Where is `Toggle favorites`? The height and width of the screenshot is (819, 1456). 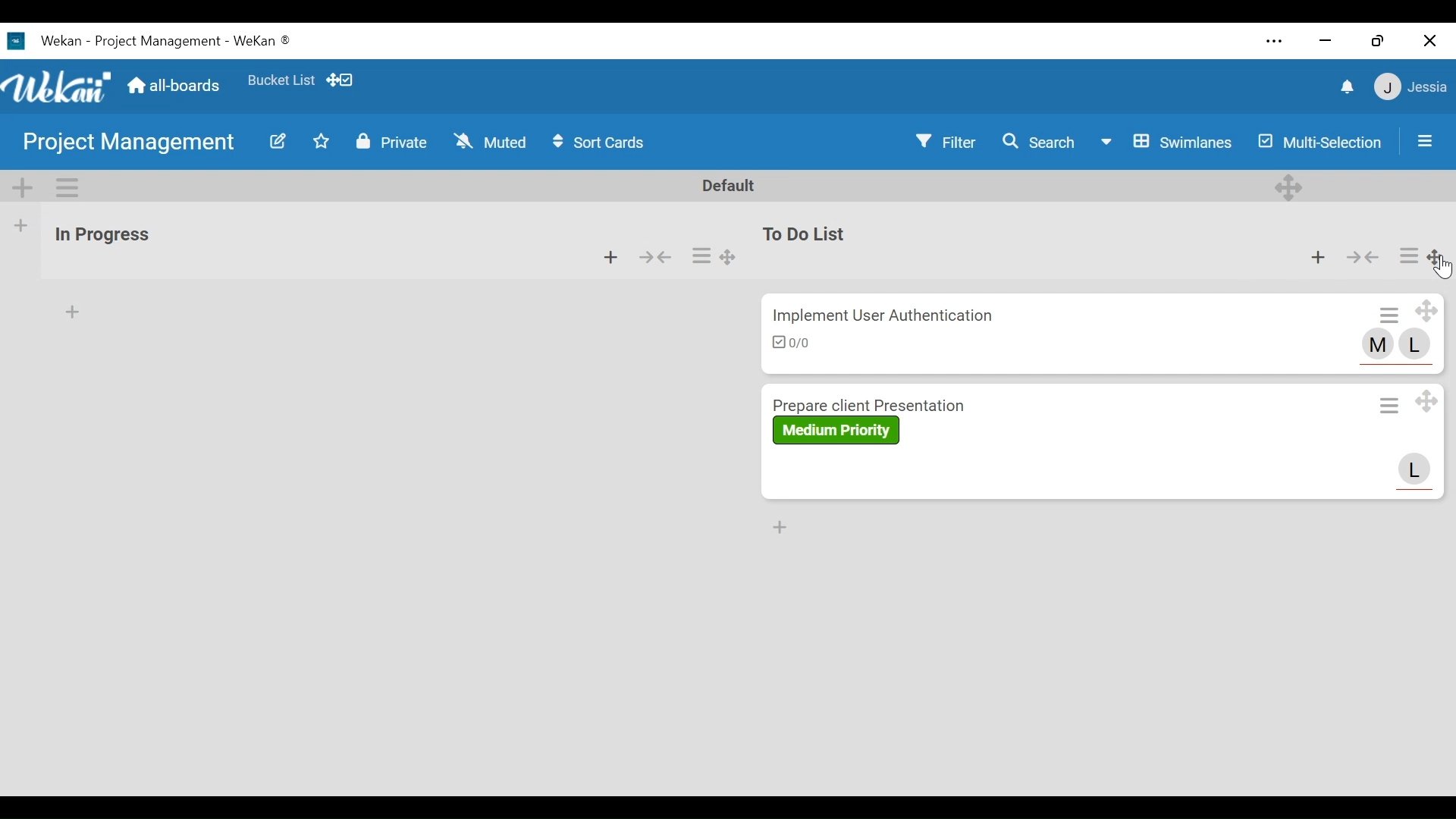
Toggle favorites is located at coordinates (320, 142).